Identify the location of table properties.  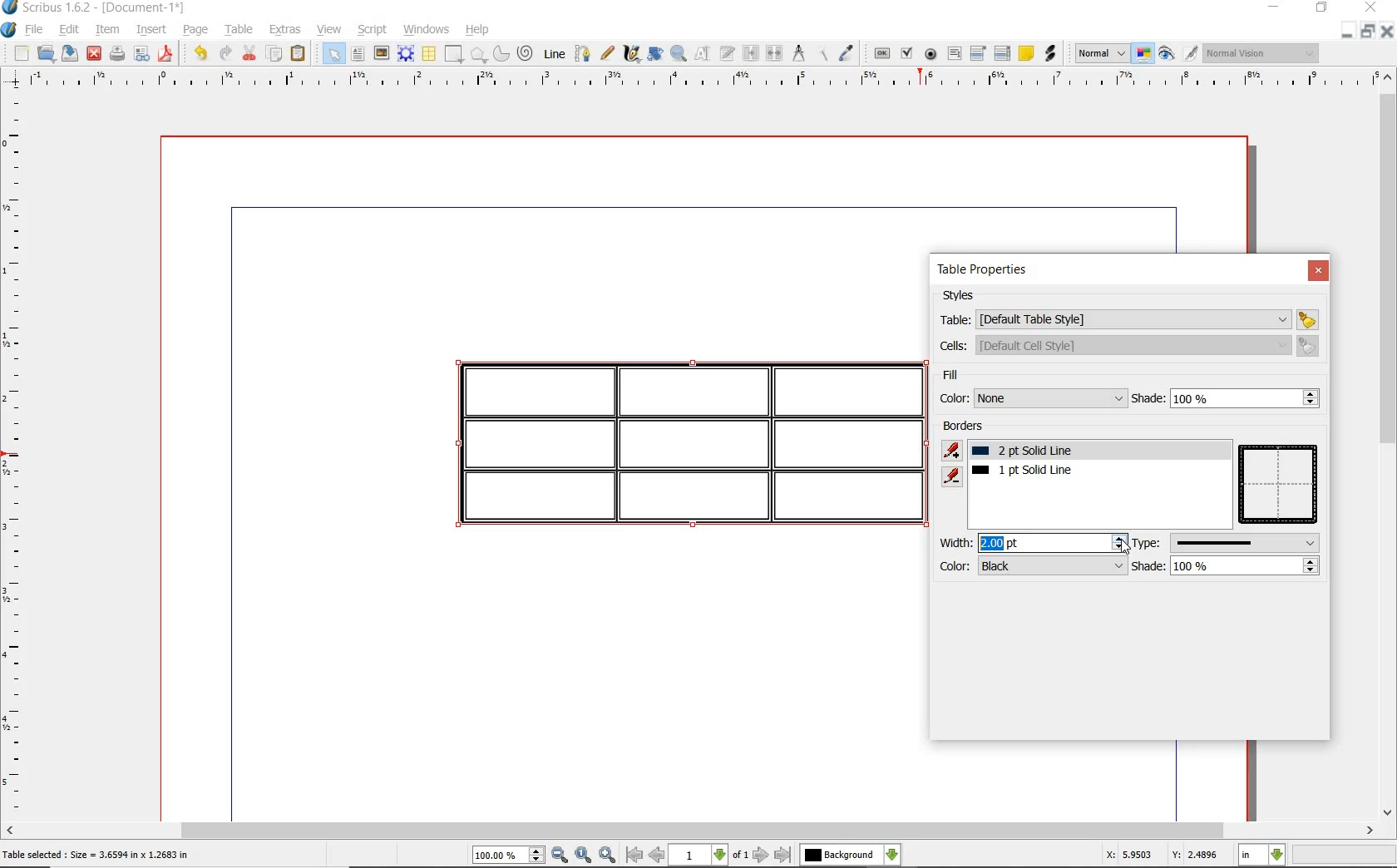
(984, 272).